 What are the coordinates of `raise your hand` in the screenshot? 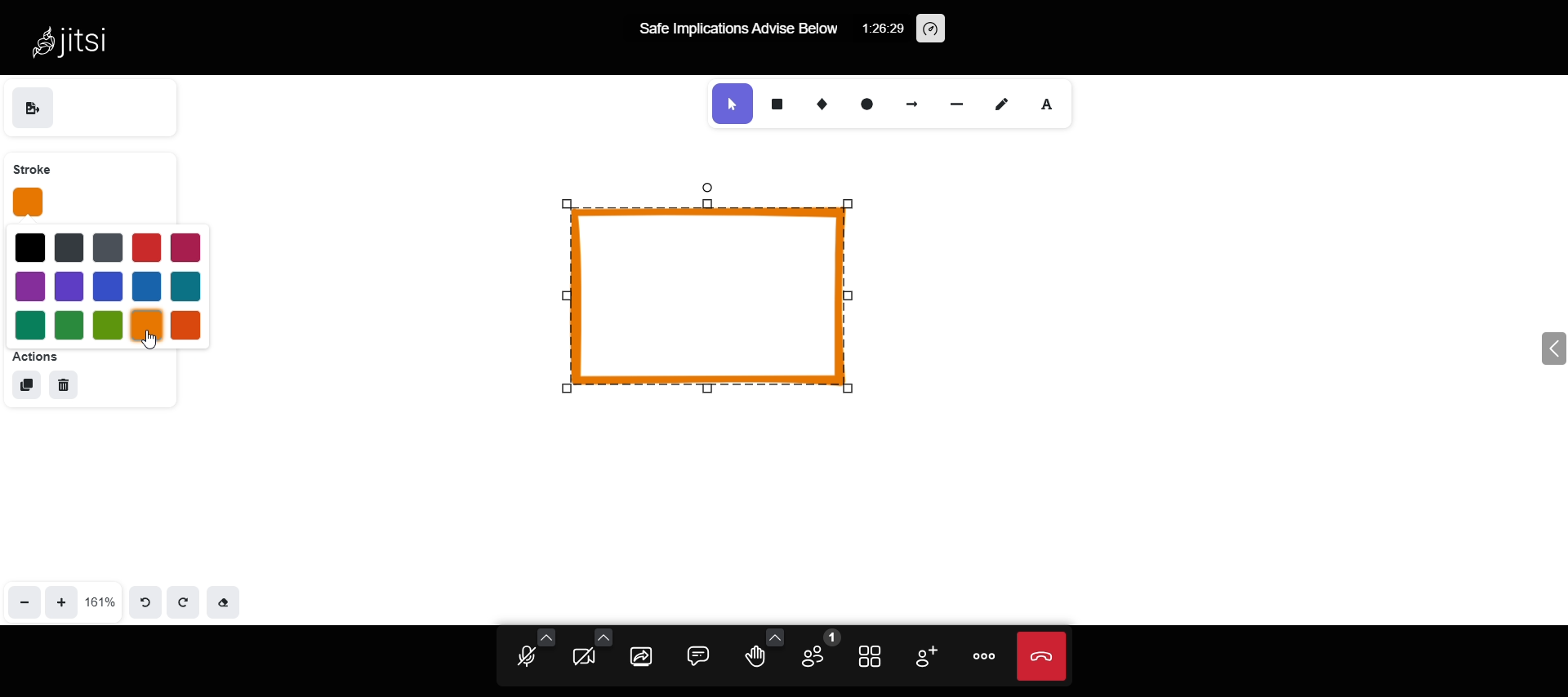 It's located at (755, 660).